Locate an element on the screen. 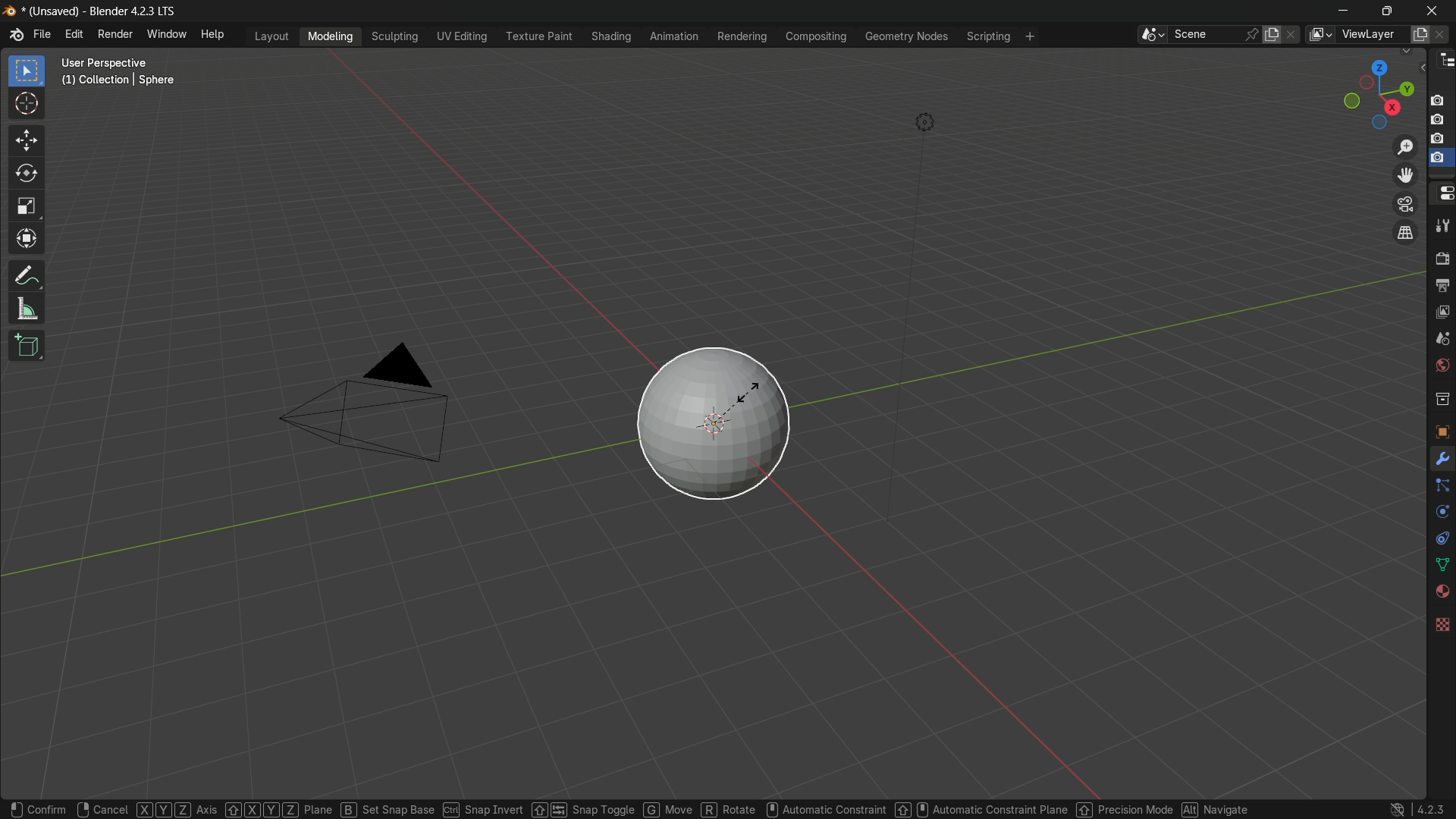 The image size is (1456, 819). (unsaved) blender 4.2.3 LTS is located at coordinates (89, 12).